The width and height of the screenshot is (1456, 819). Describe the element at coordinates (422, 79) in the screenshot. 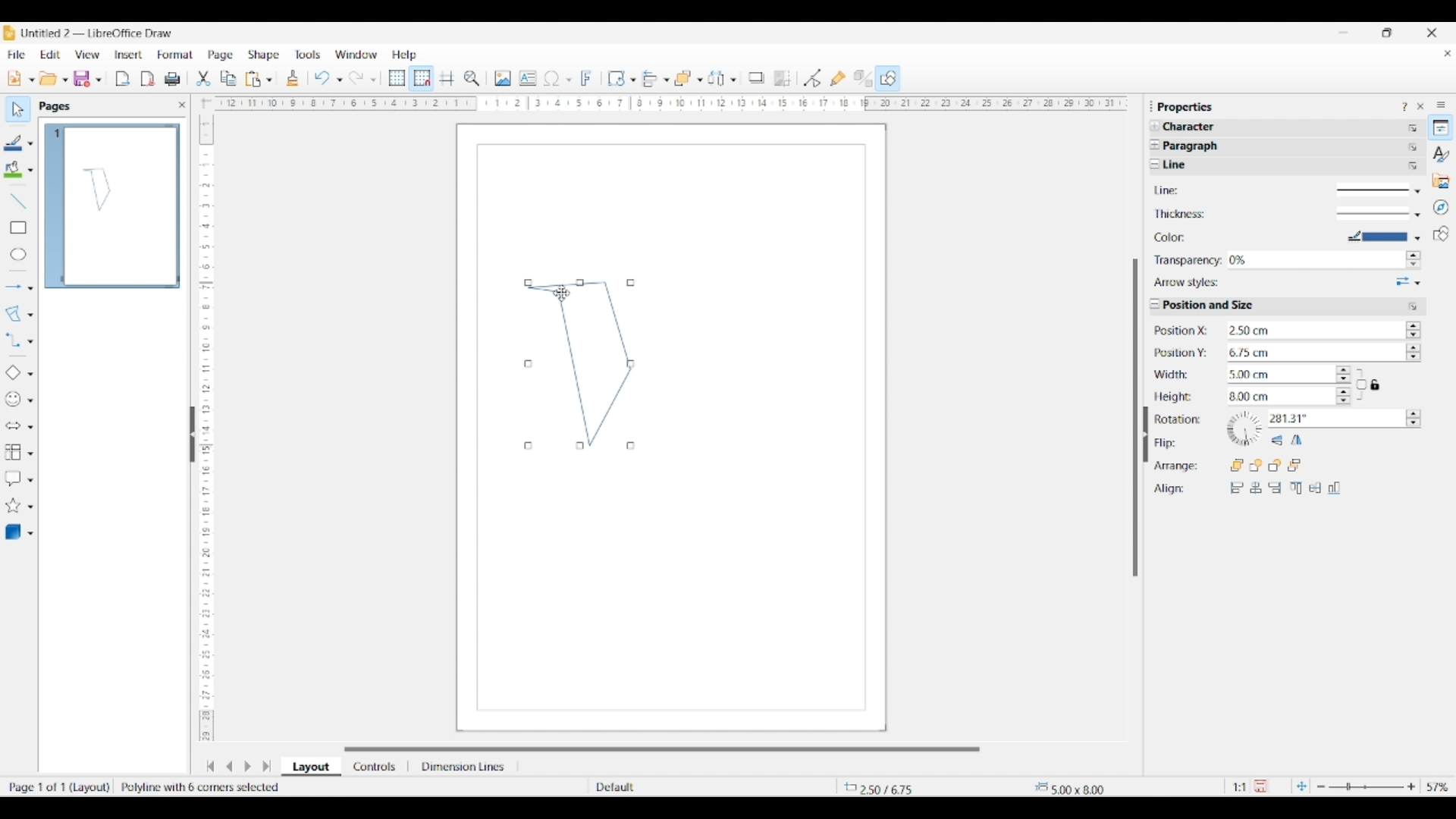

I see `Snap to grid` at that location.